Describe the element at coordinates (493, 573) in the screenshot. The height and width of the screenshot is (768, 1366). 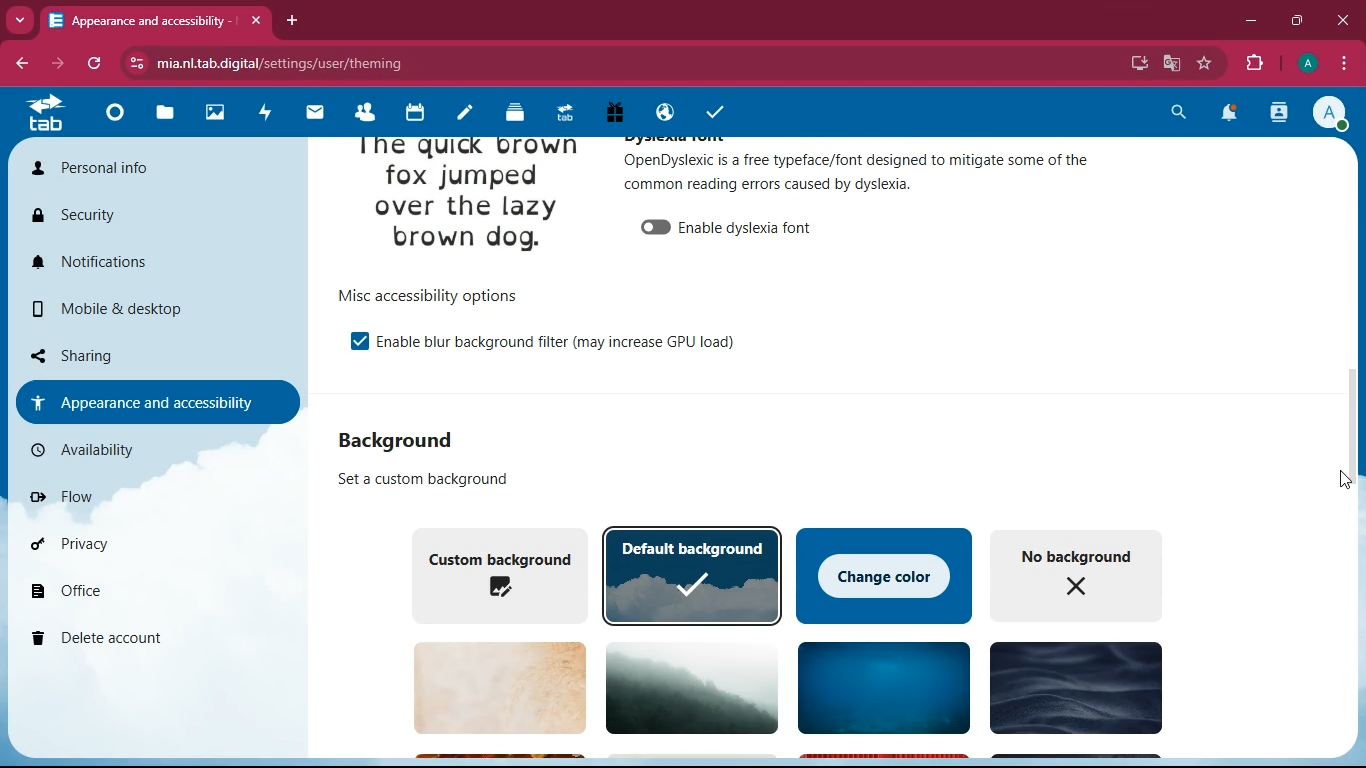
I see `custom background` at that location.